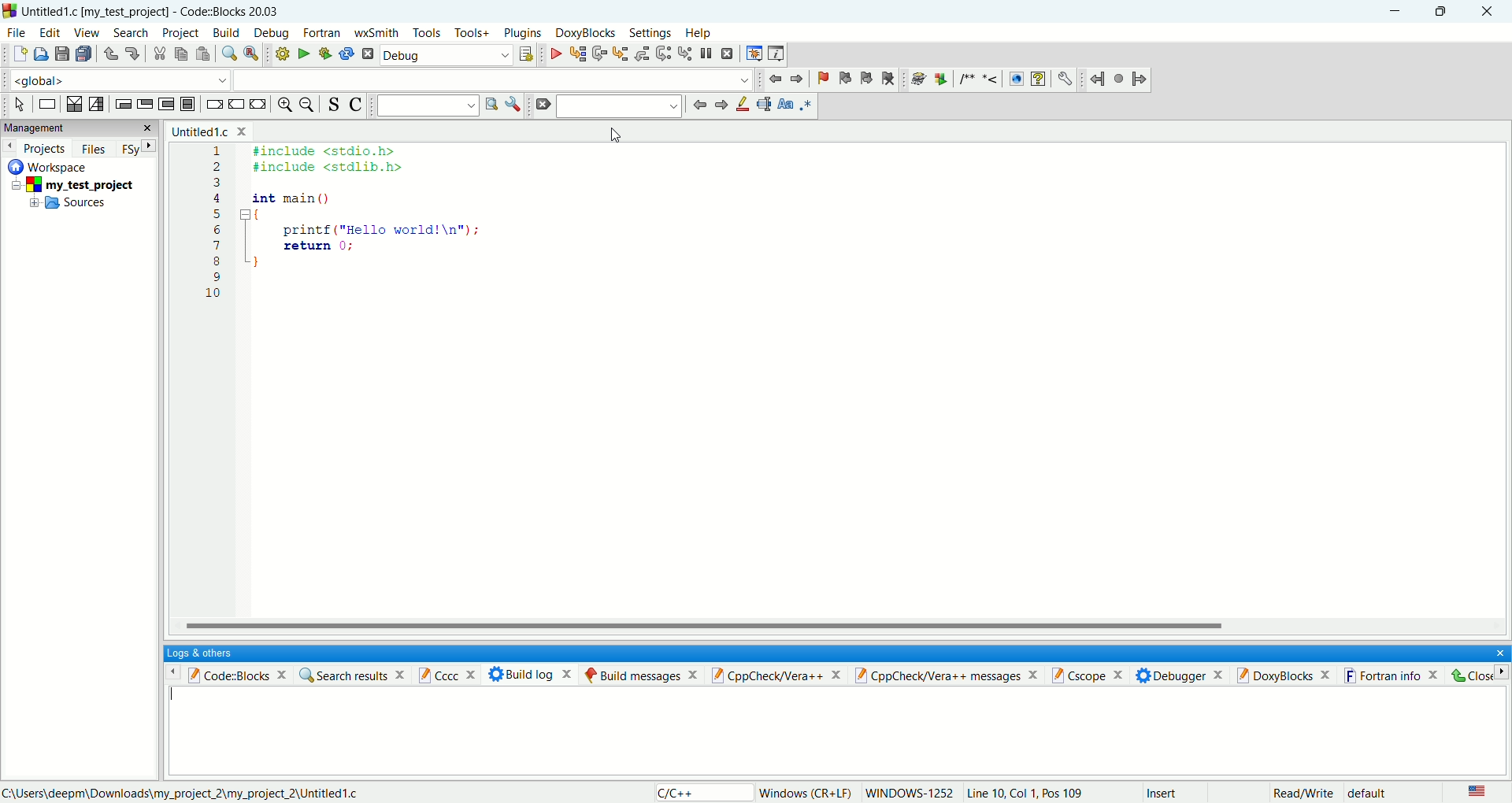 This screenshot has height=803, width=1512. What do you see at coordinates (1487, 12) in the screenshot?
I see `close` at bounding box center [1487, 12].